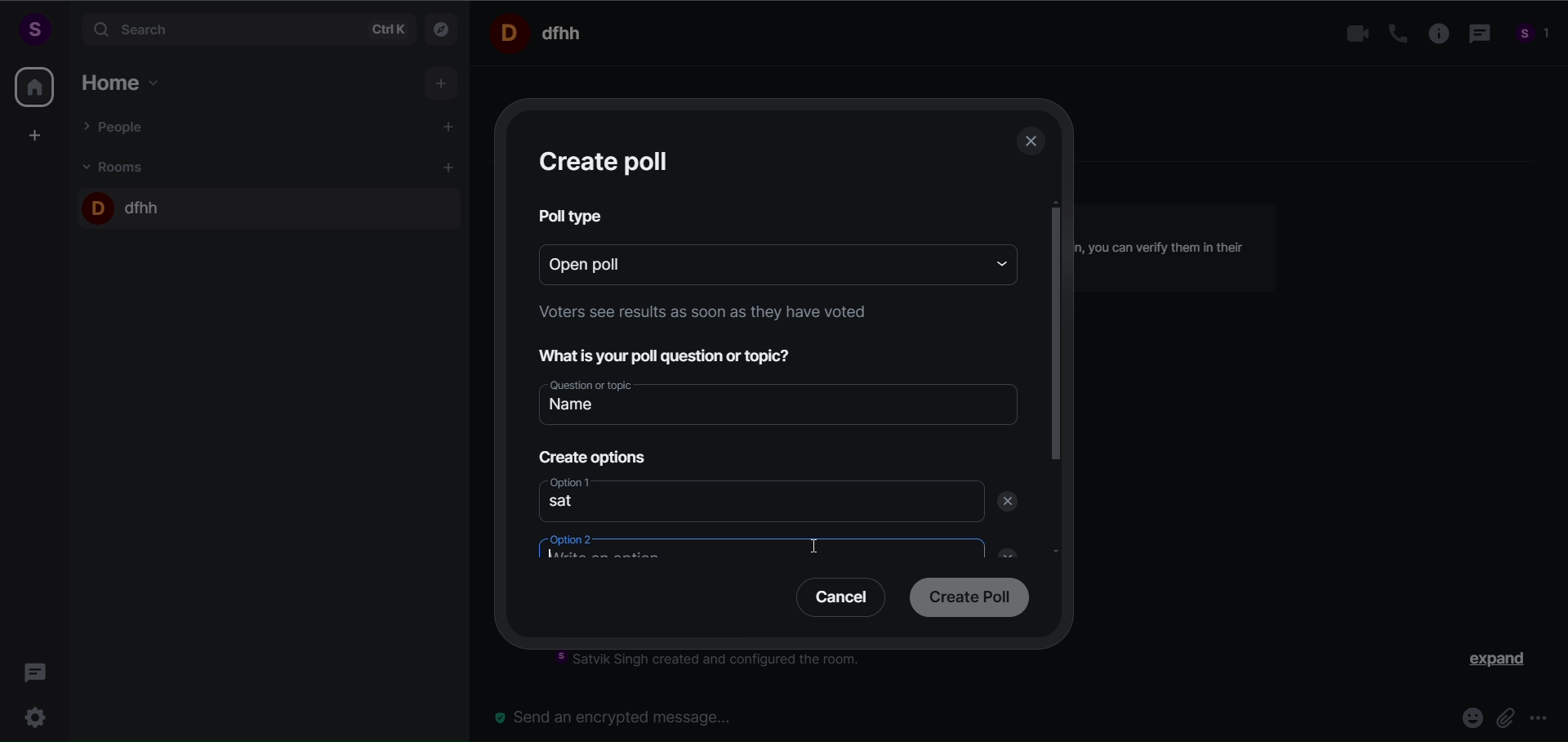 The image size is (1568, 742). I want to click on room info, so click(1433, 34).